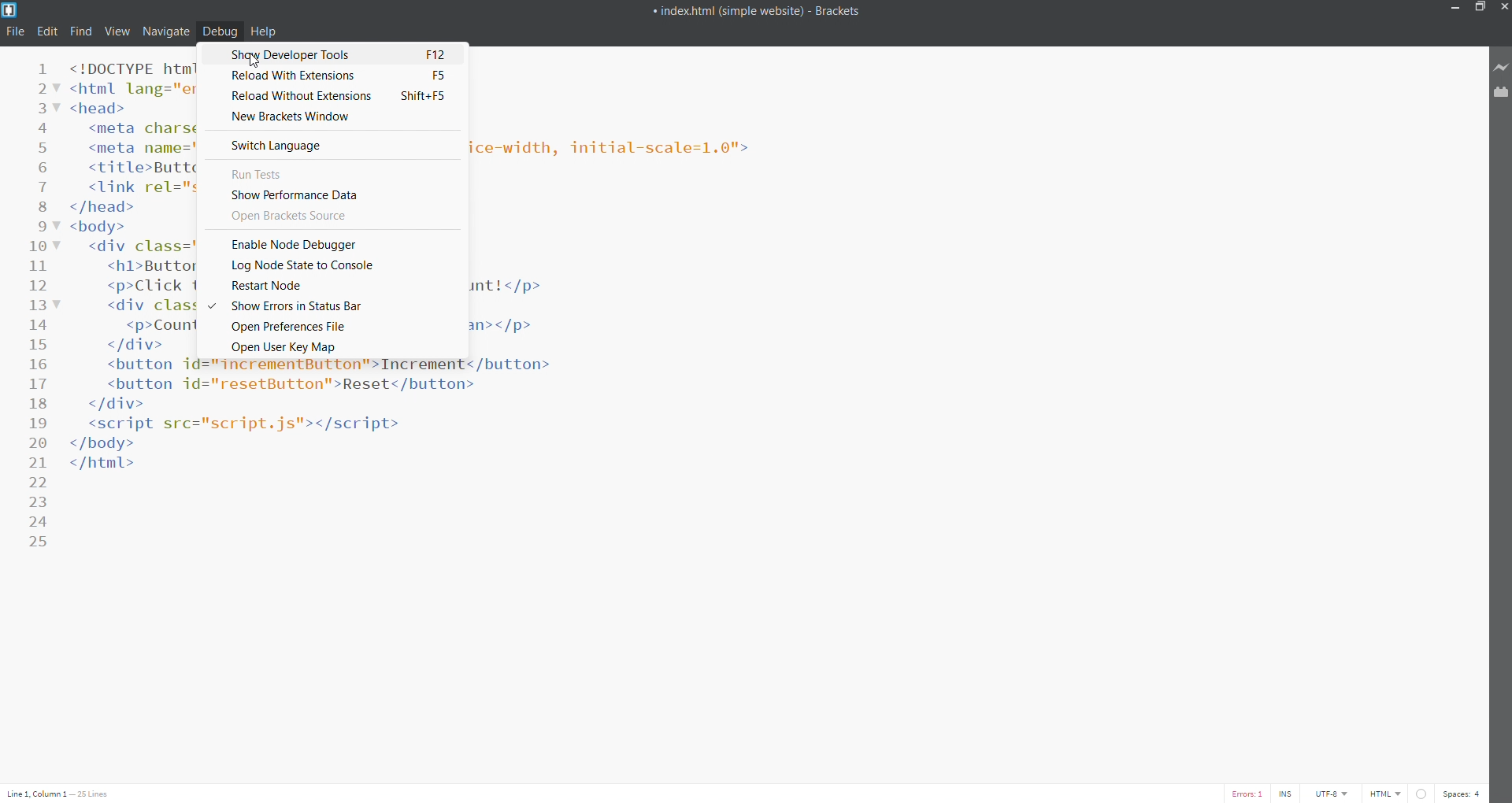 This screenshot has width=1512, height=803. Describe the element at coordinates (332, 242) in the screenshot. I see `enable node debugger` at that location.